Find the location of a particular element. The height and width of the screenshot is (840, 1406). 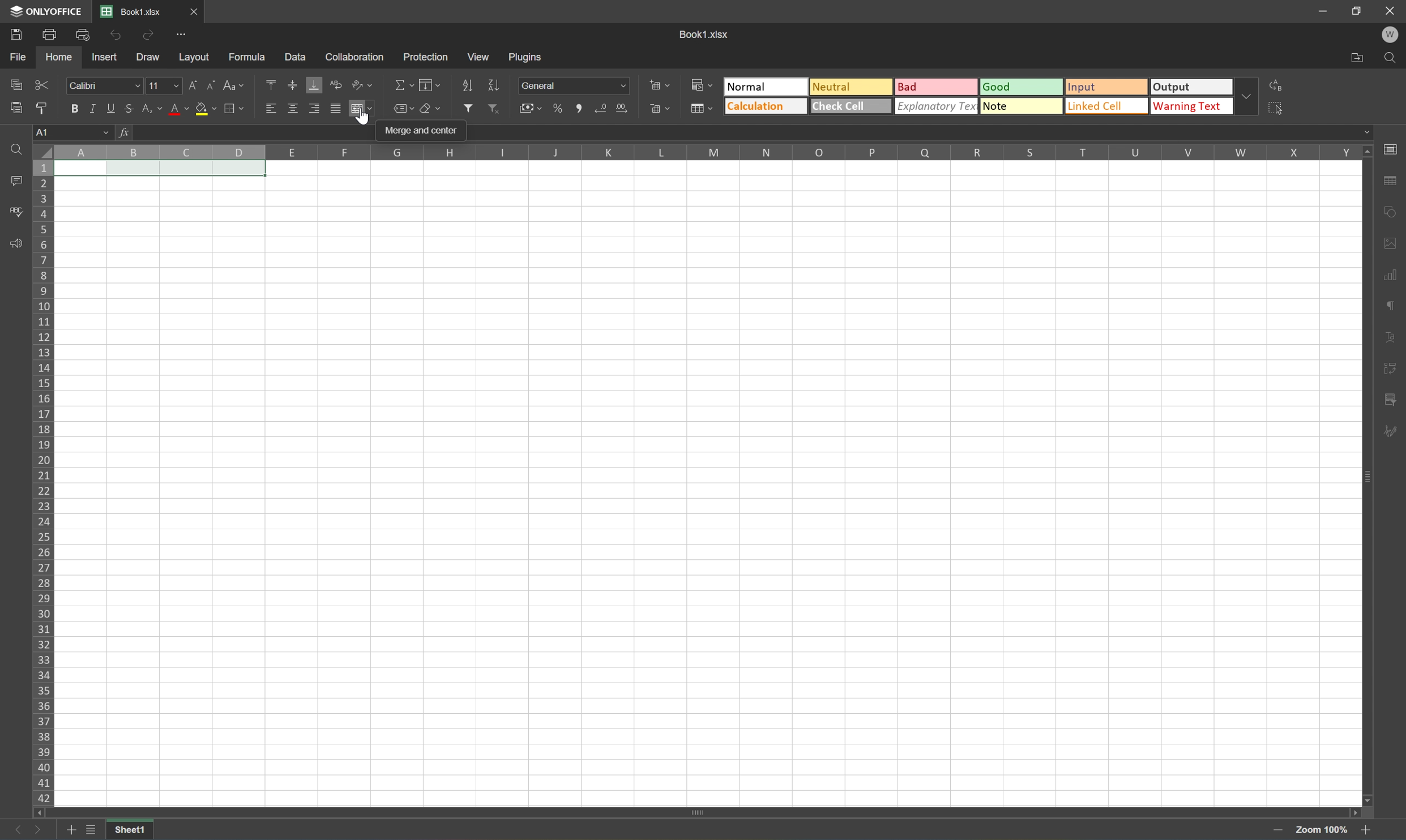

Filter is located at coordinates (467, 108).